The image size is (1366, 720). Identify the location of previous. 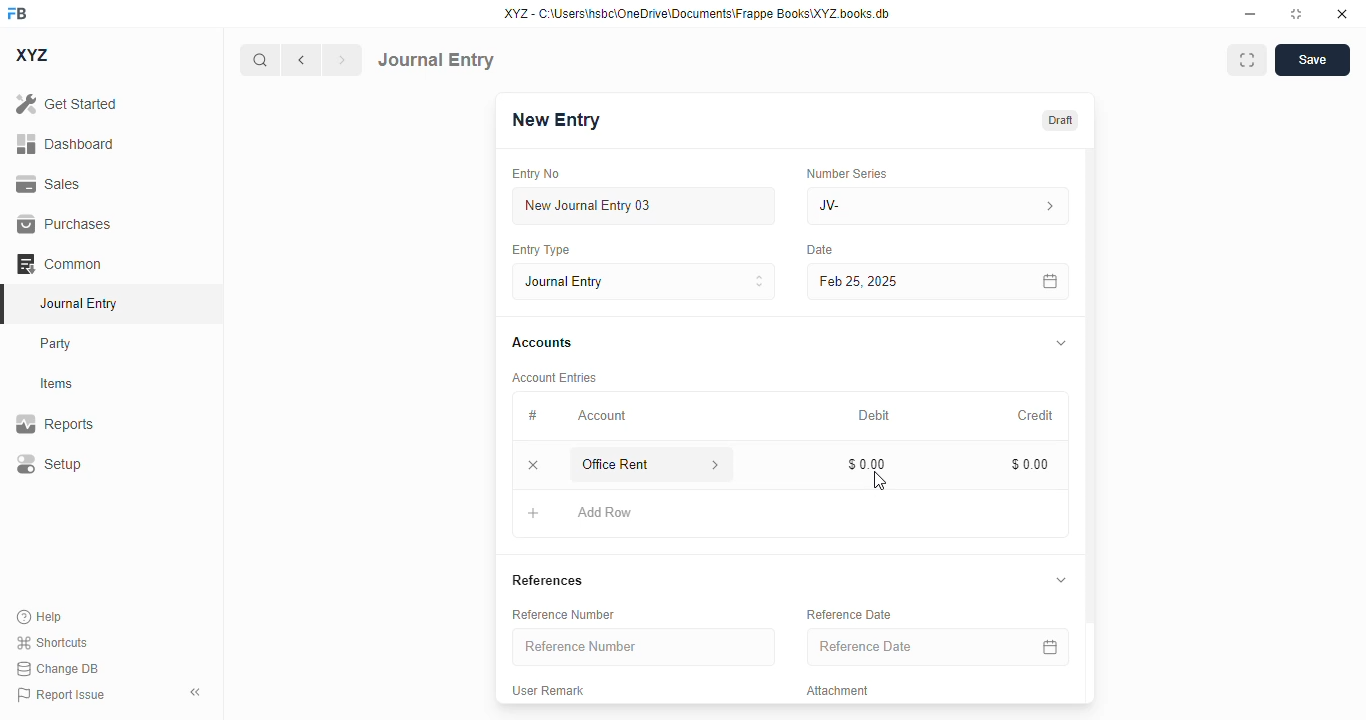
(301, 60).